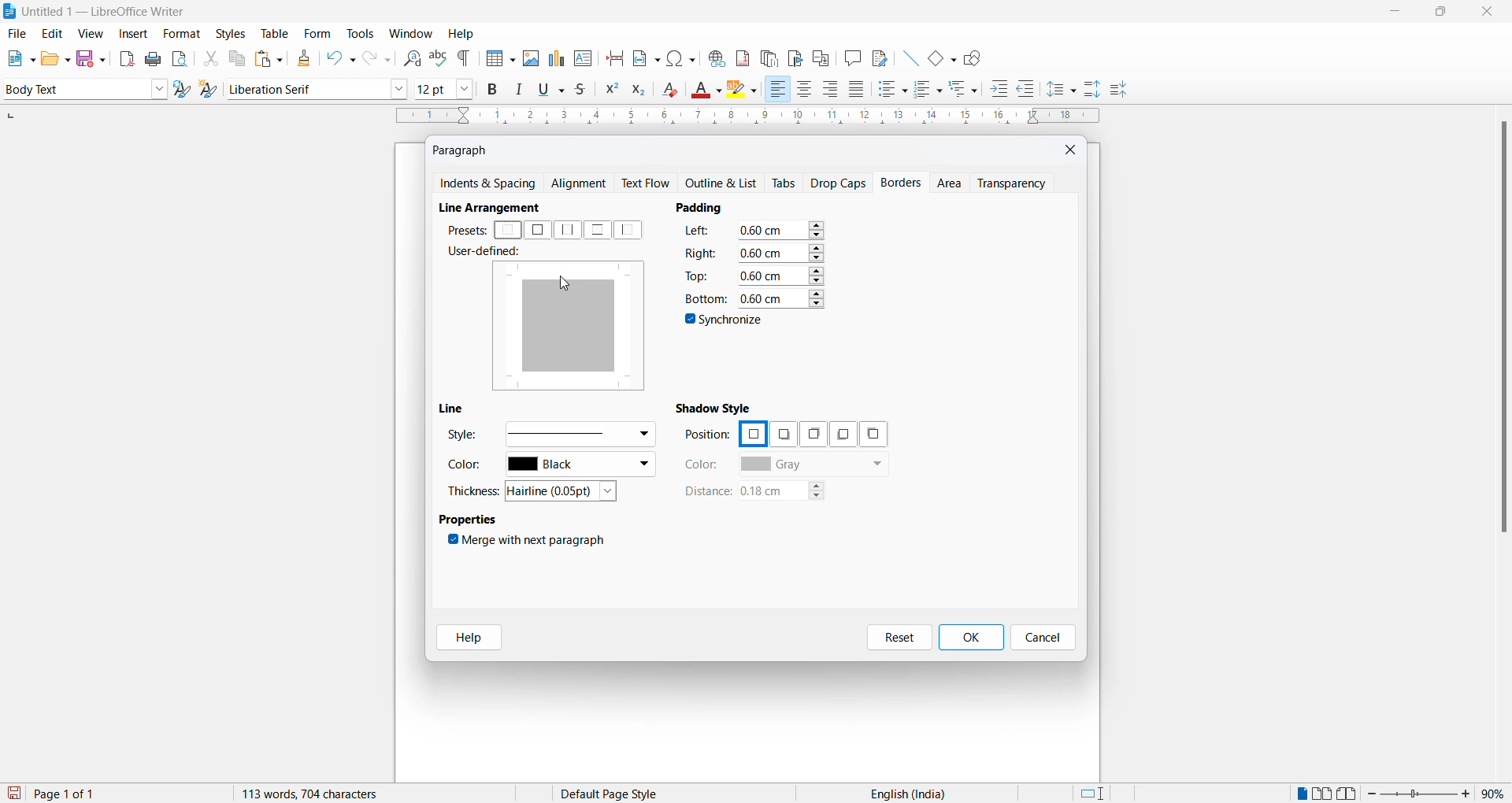  I want to click on find and replace, so click(409, 57).